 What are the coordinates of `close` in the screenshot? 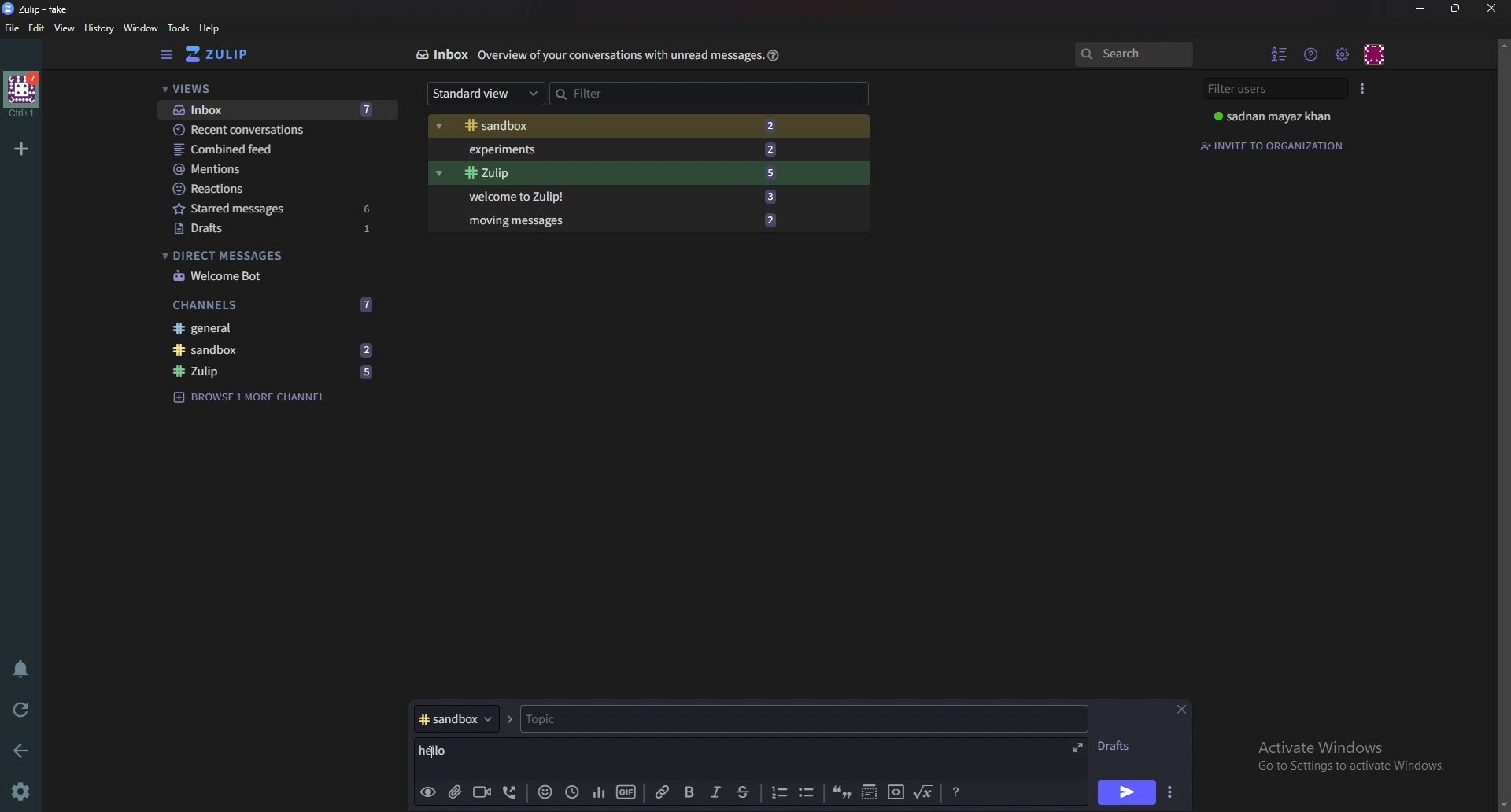 It's located at (1181, 708).